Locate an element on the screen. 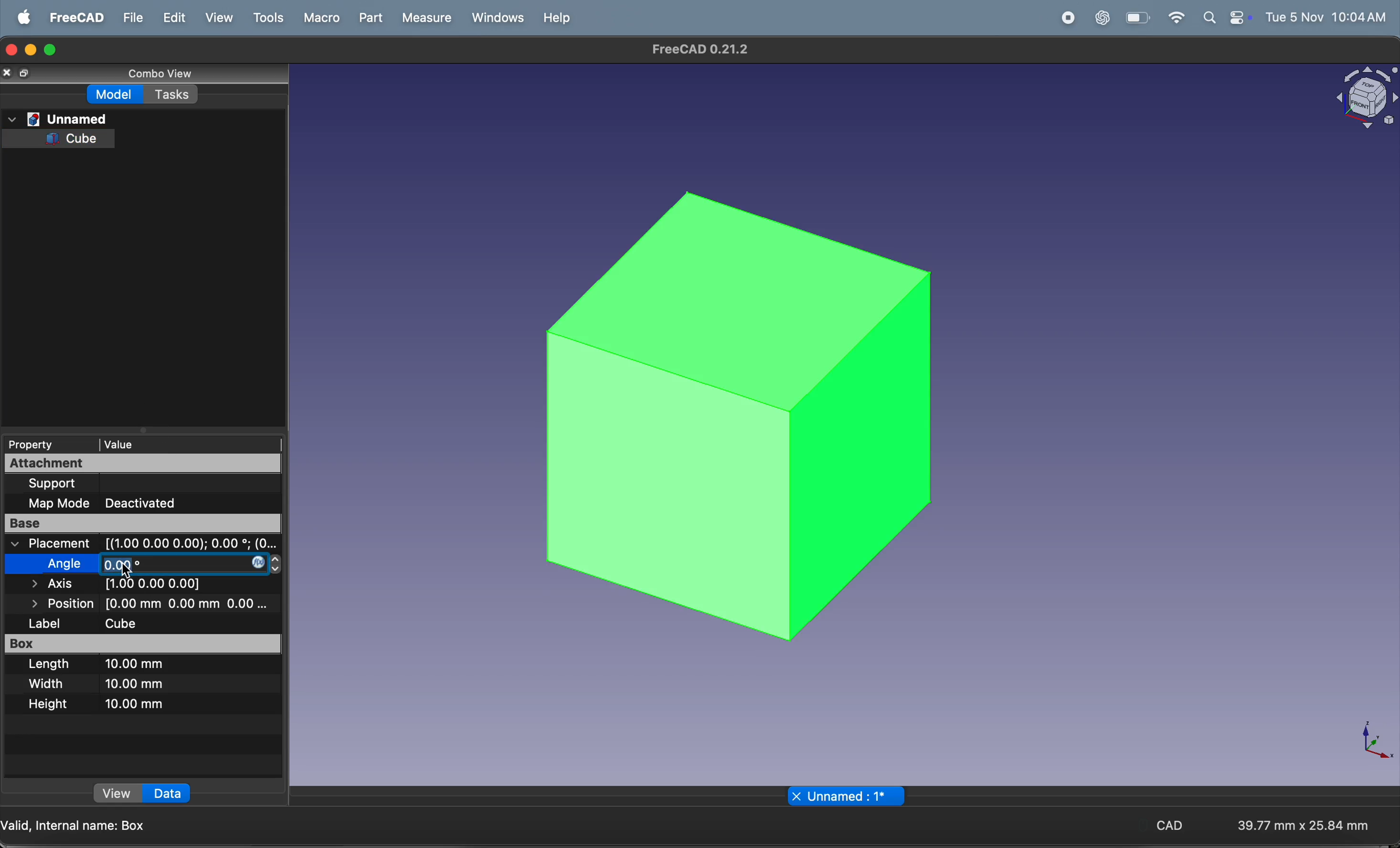 The height and width of the screenshot is (848, 1400). map mode is located at coordinates (53, 503).